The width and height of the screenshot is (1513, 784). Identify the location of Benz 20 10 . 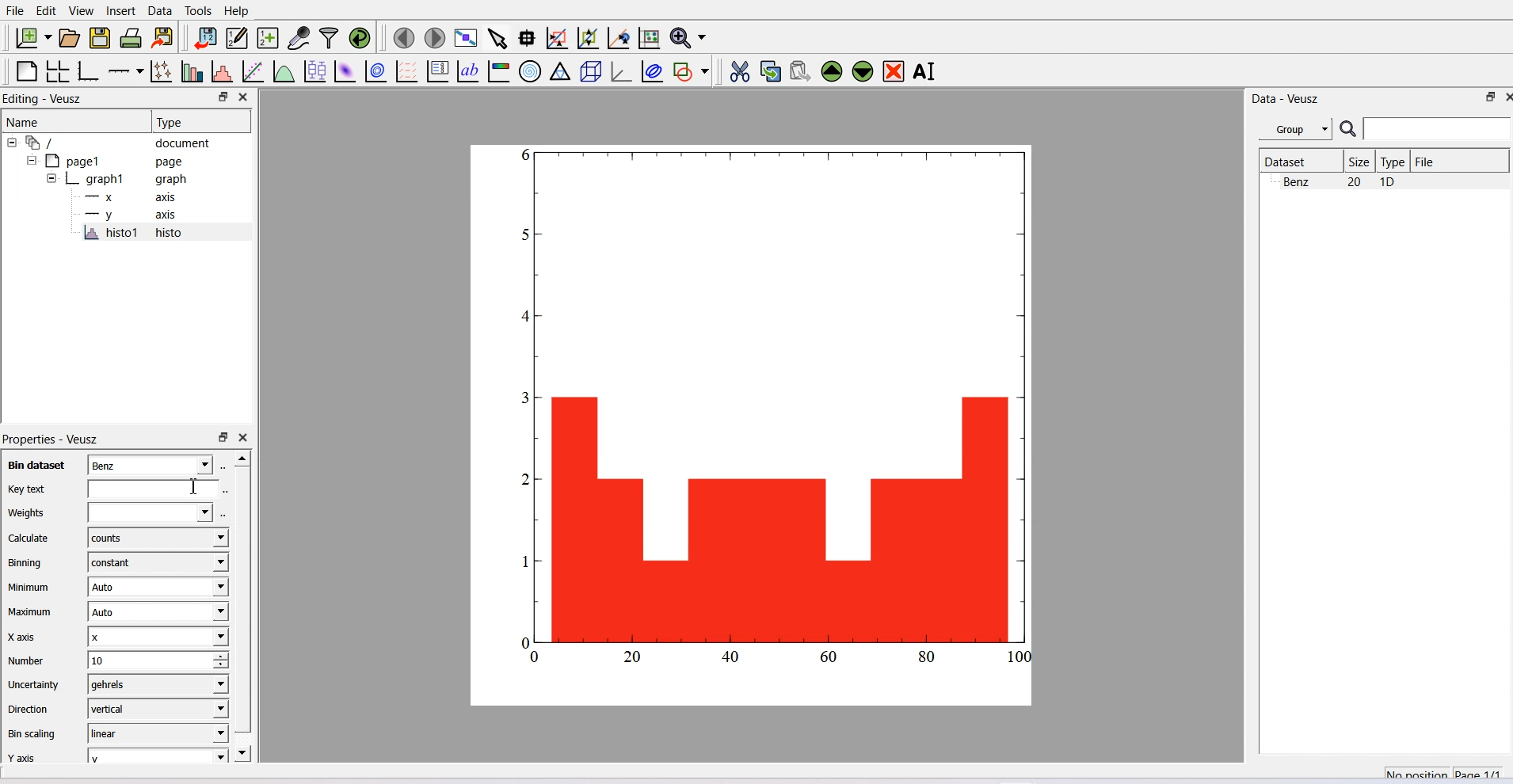
(1340, 181).